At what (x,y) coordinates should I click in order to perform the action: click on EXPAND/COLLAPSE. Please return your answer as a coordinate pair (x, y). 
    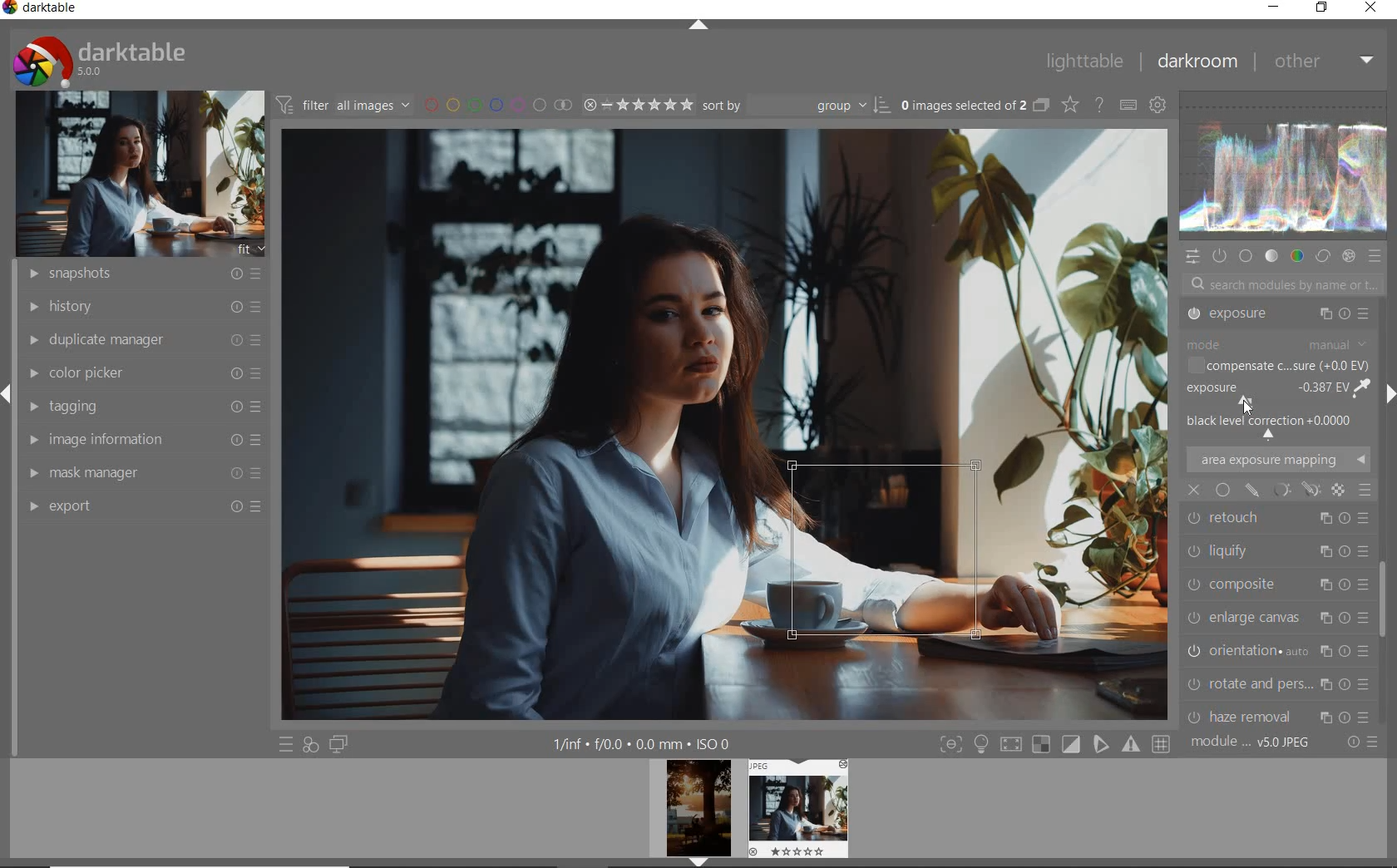
    Looking at the image, I should click on (1389, 394).